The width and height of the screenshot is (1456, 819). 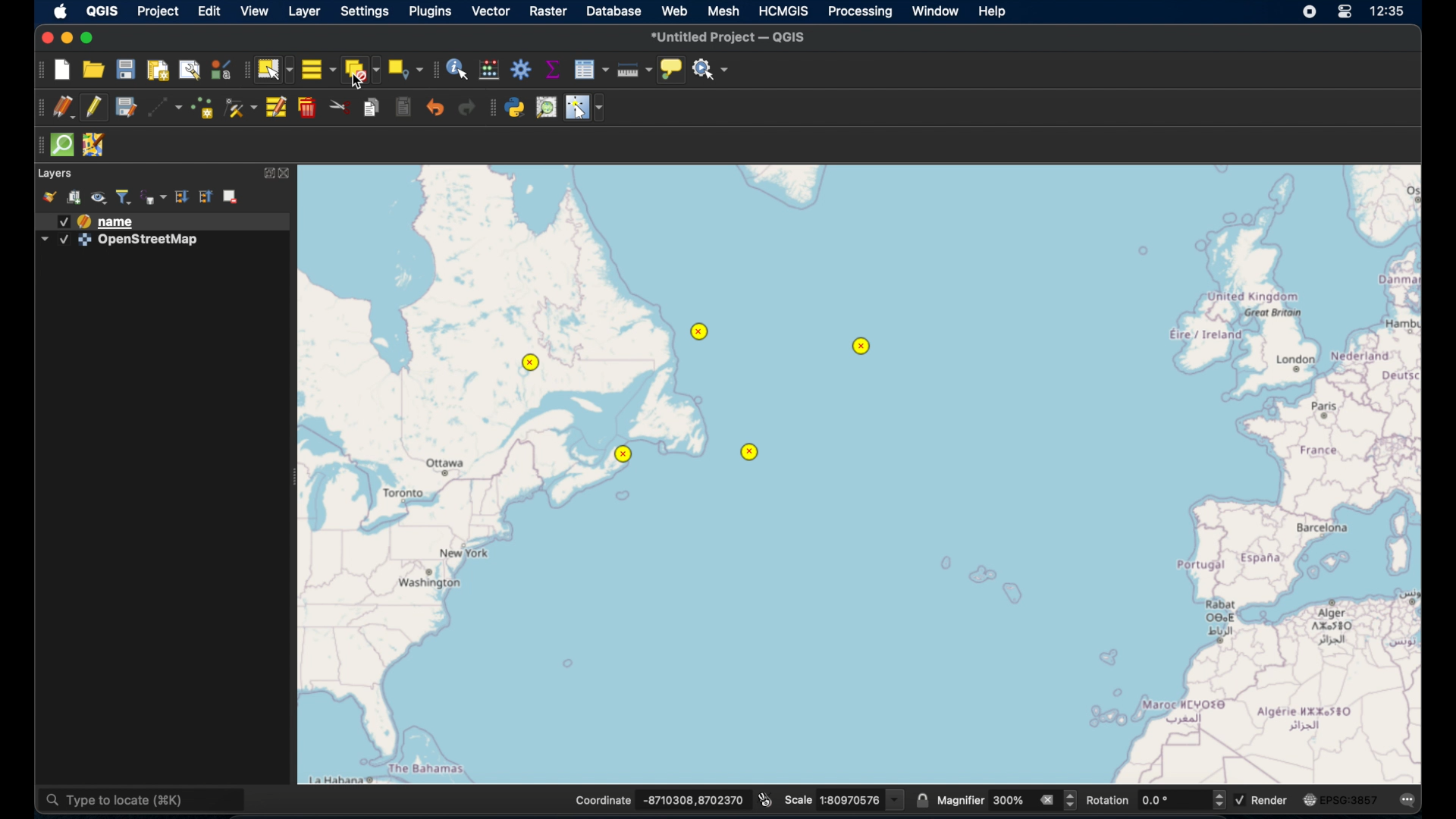 I want to click on vertex tool, so click(x=242, y=108).